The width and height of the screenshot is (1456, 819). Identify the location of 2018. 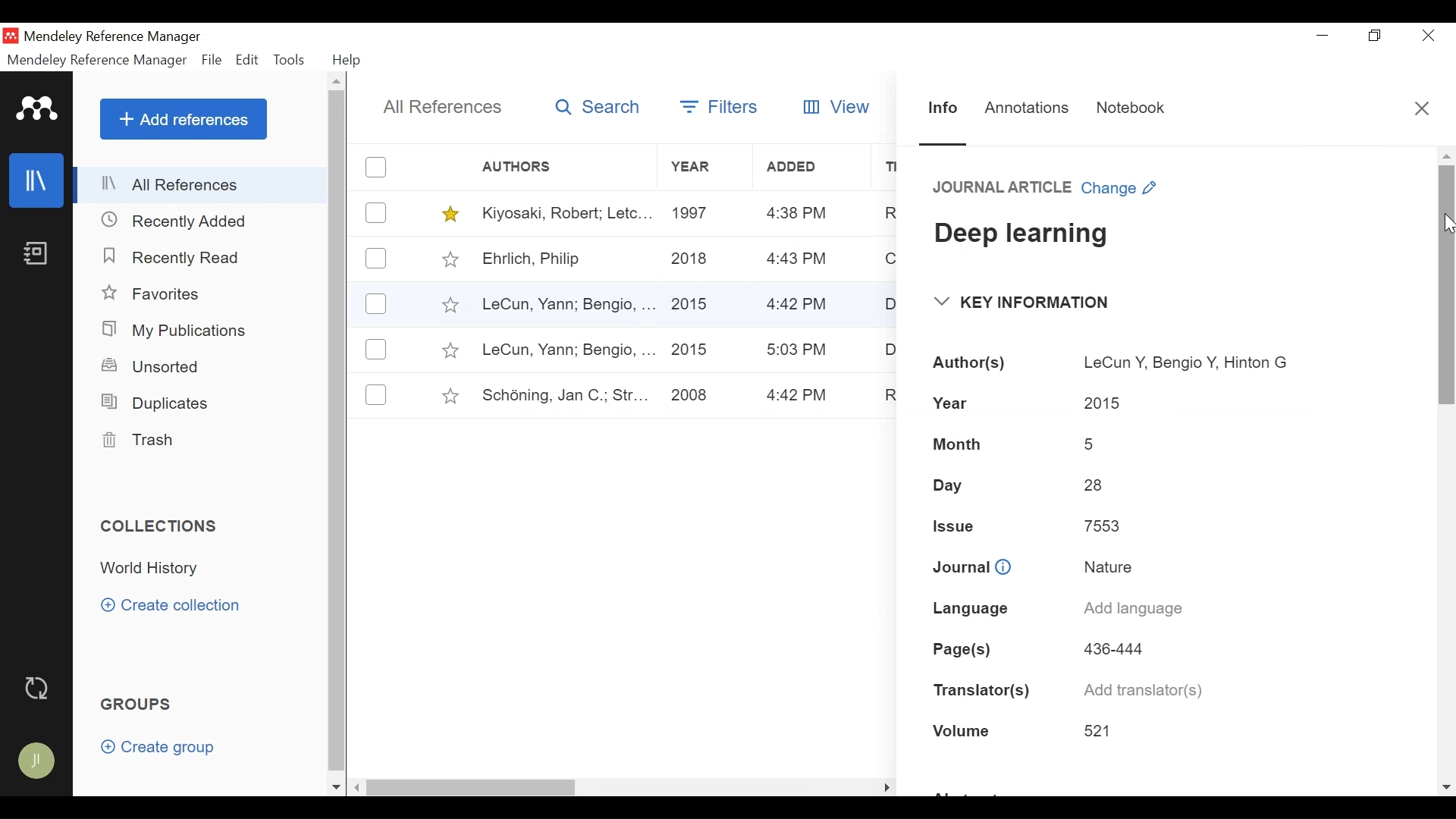
(691, 260).